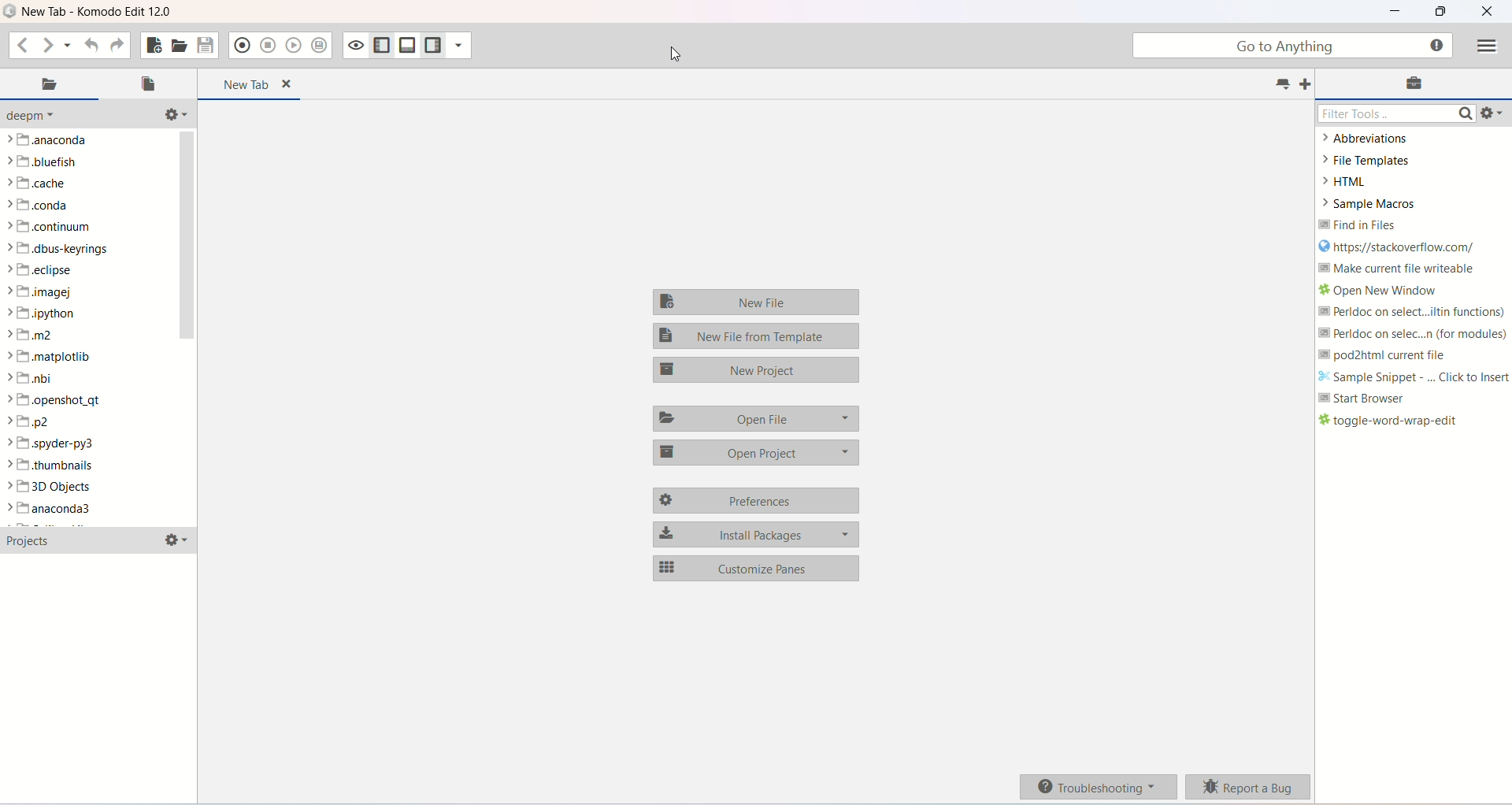  What do you see at coordinates (173, 539) in the screenshot?
I see `options` at bounding box center [173, 539].